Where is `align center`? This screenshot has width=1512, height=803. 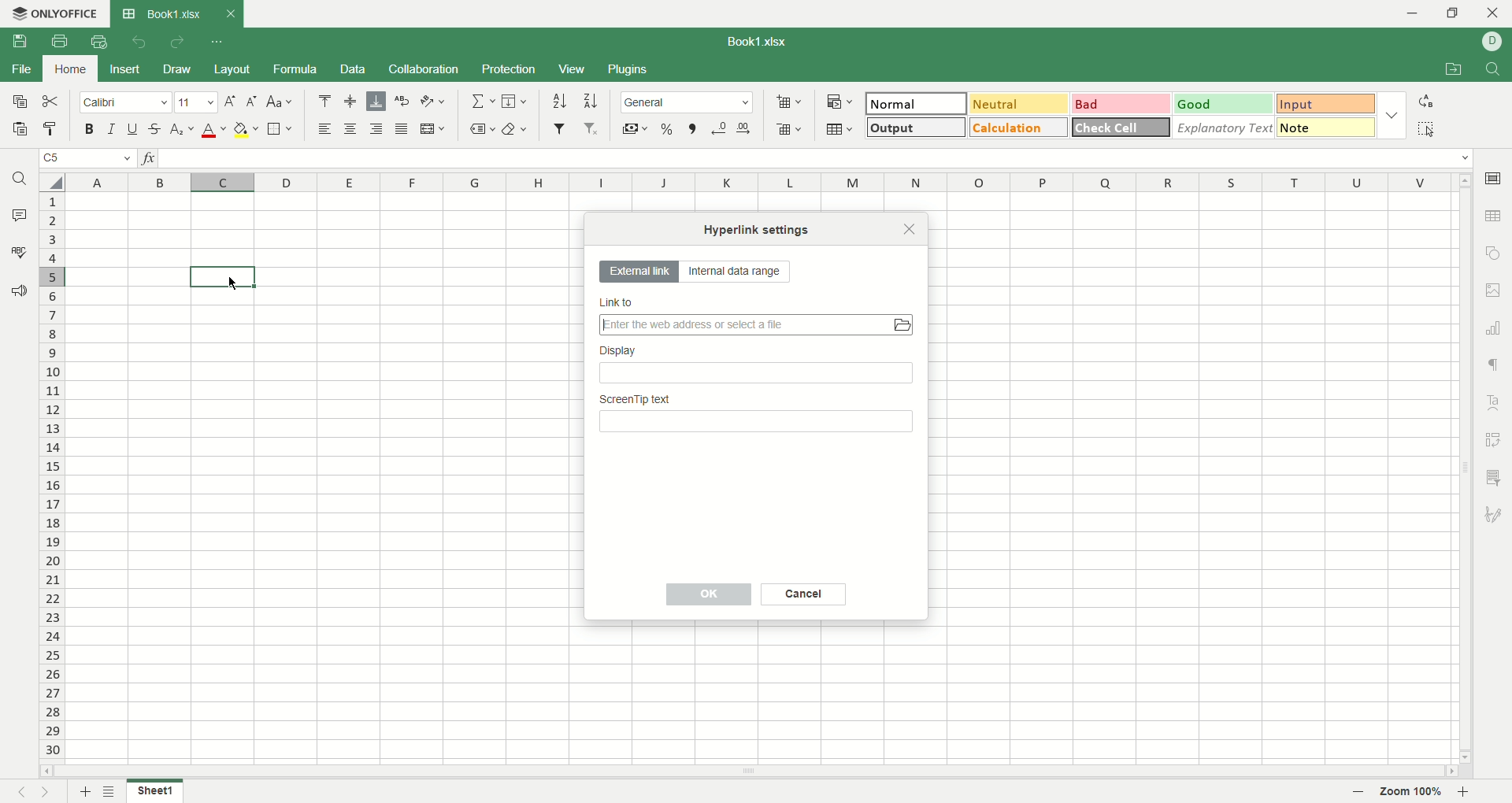
align center is located at coordinates (351, 102).